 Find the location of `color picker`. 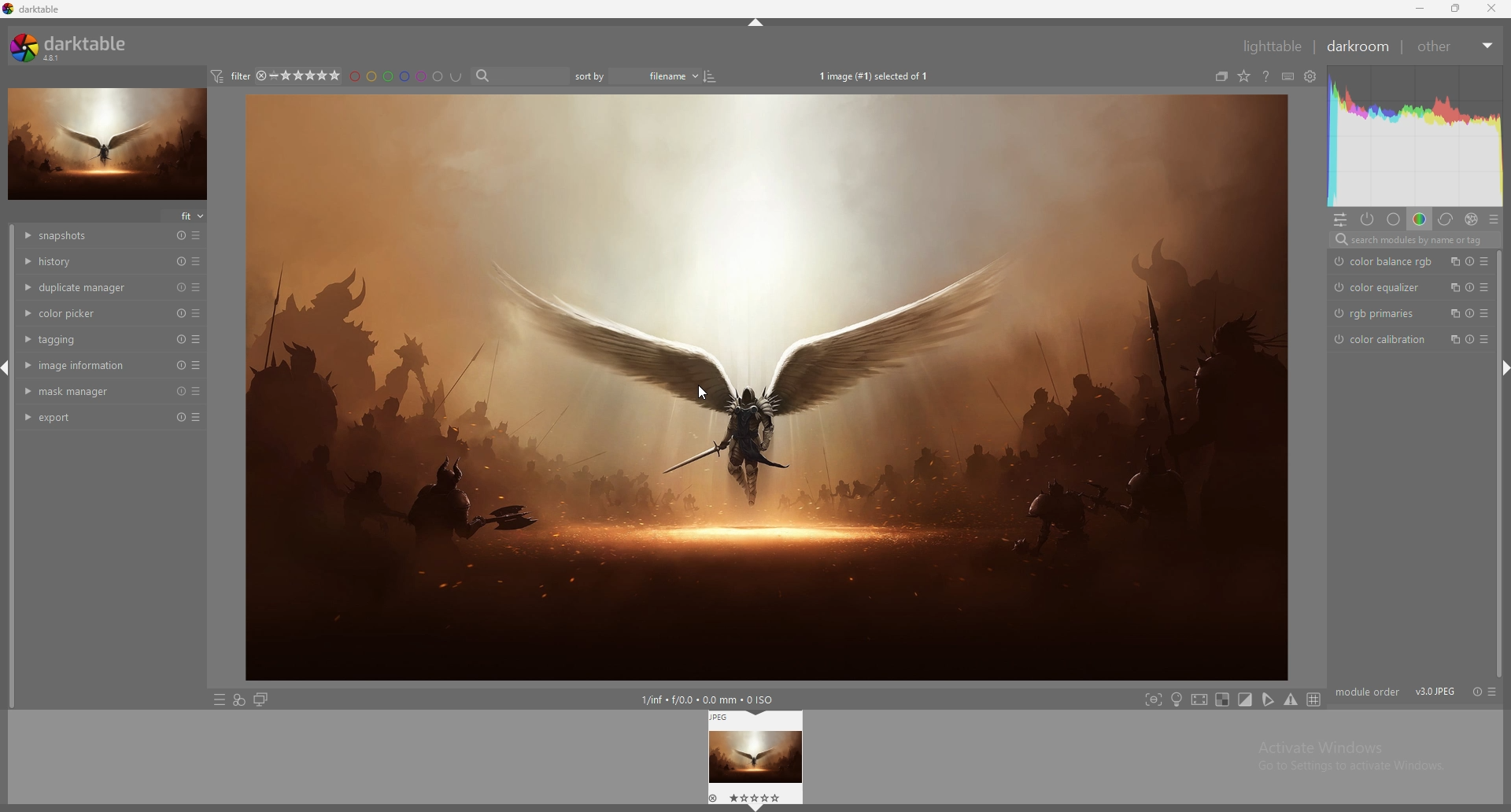

color picker is located at coordinates (89, 314).